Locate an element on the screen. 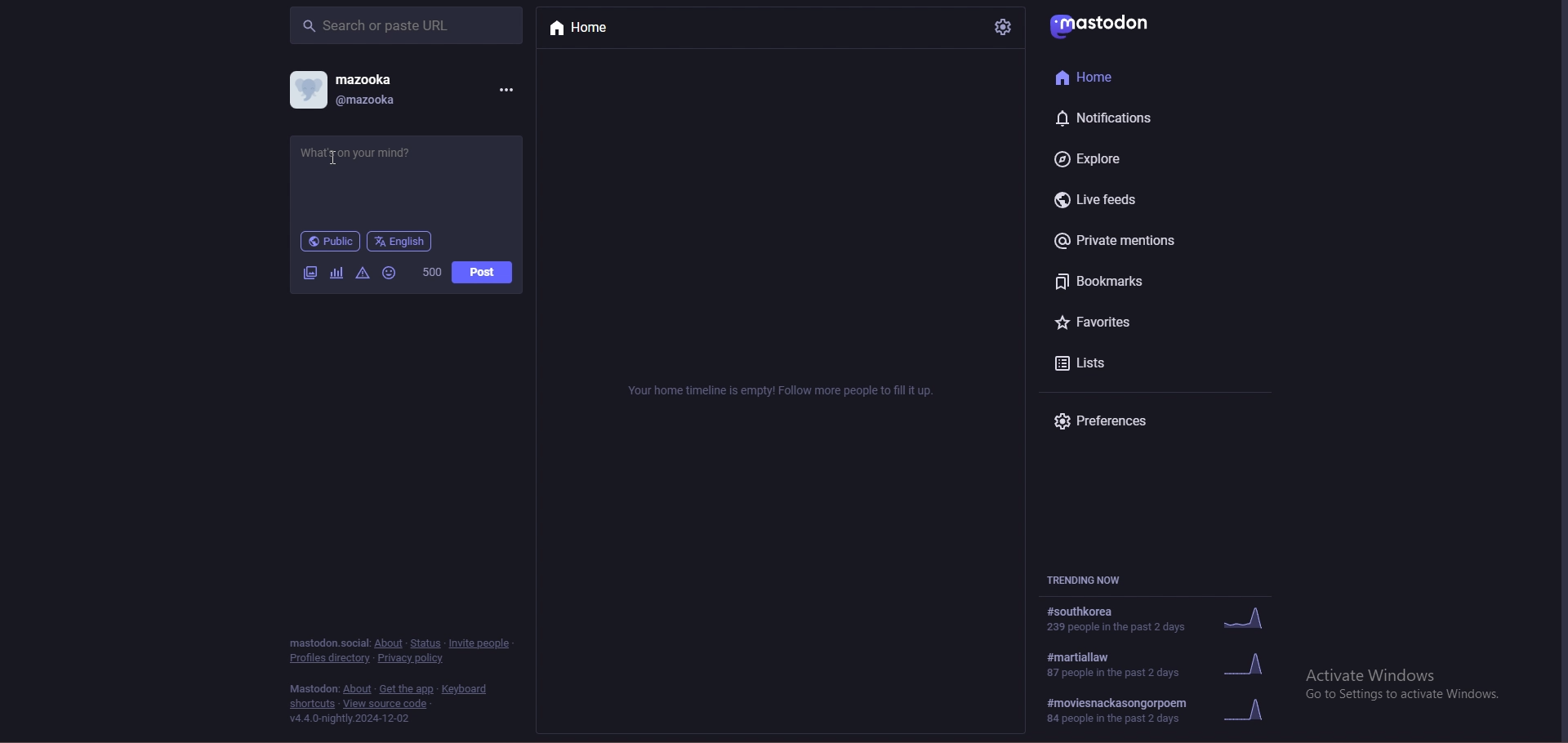 The image size is (1568, 743). mastodon is located at coordinates (314, 689).